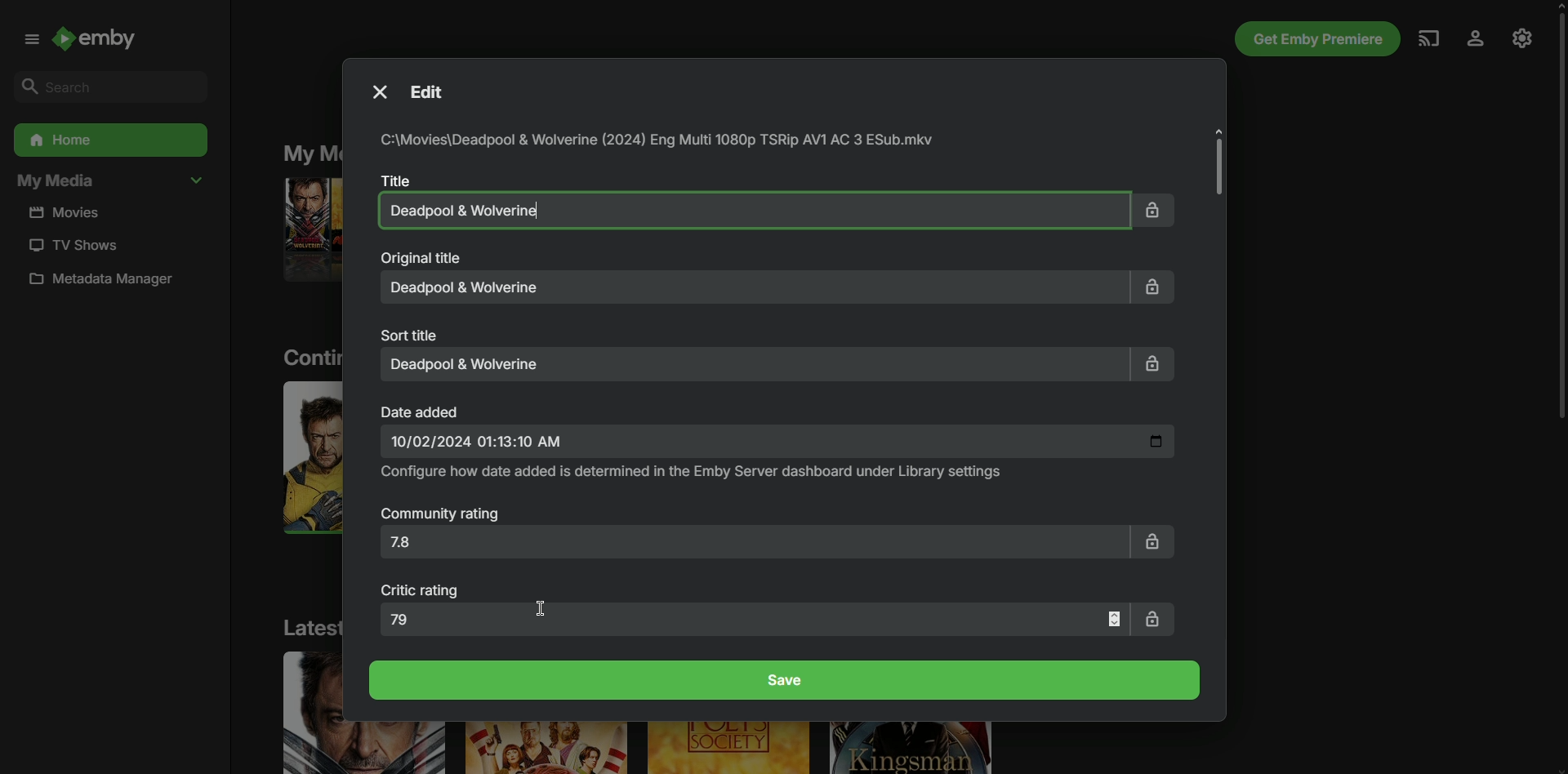  What do you see at coordinates (1522, 37) in the screenshot?
I see `Settings` at bounding box center [1522, 37].